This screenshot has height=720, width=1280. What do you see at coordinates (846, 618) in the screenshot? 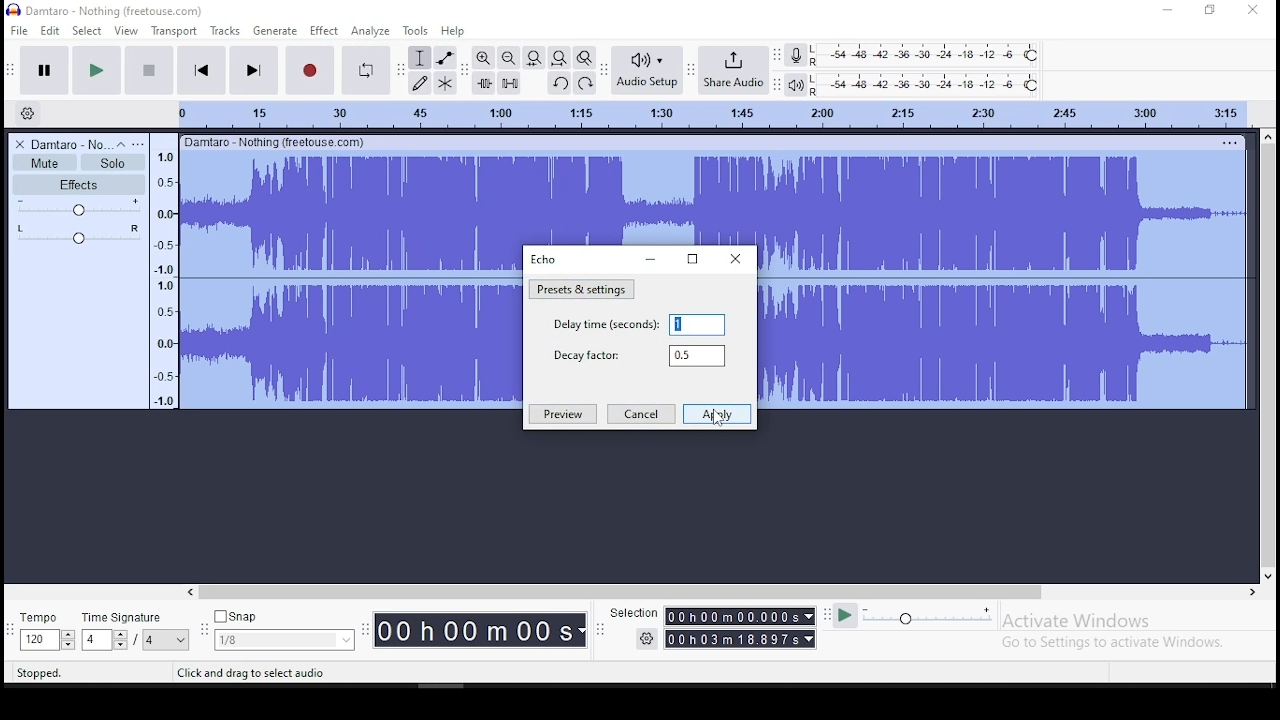
I see `play` at bounding box center [846, 618].